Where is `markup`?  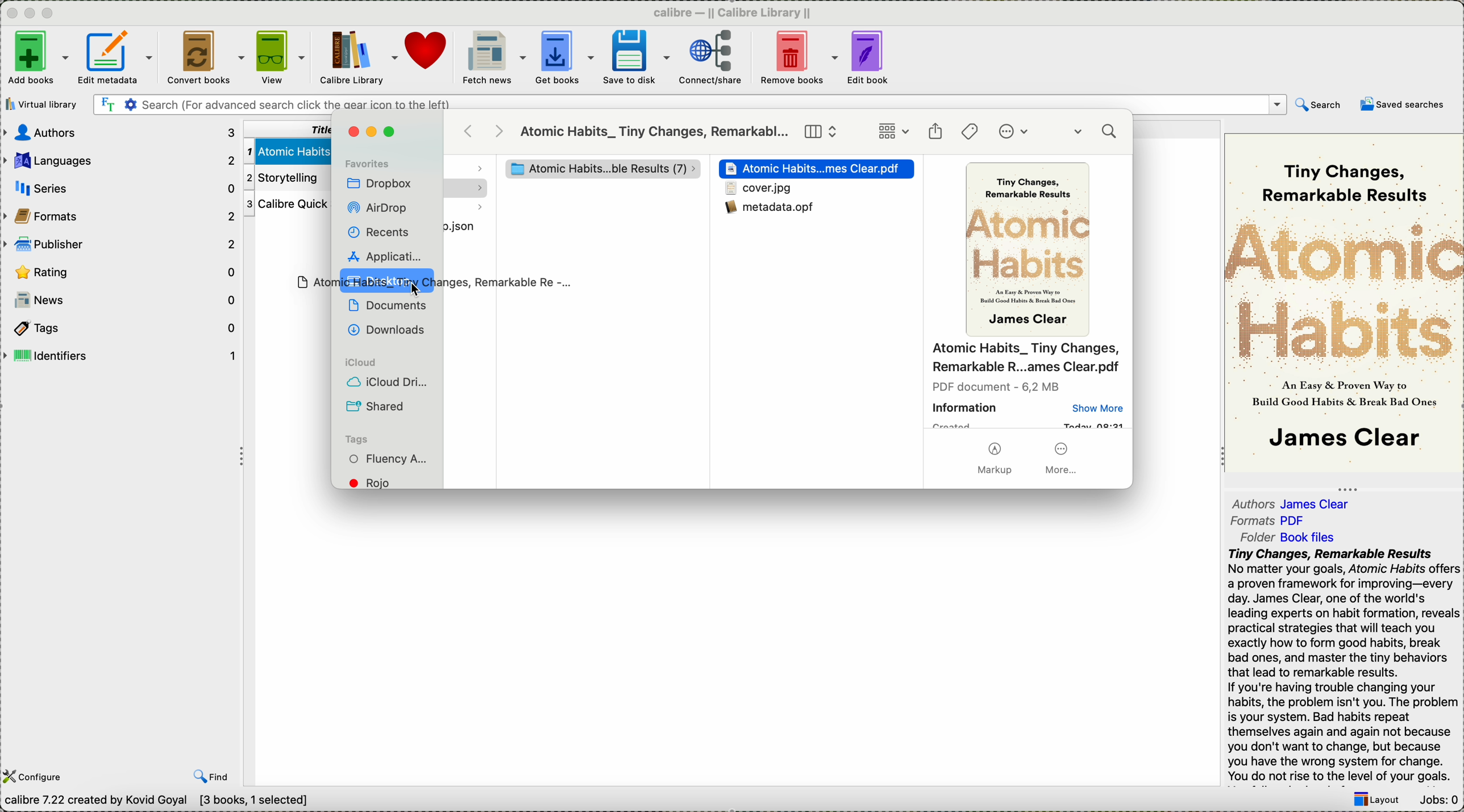
markup is located at coordinates (995, 460).